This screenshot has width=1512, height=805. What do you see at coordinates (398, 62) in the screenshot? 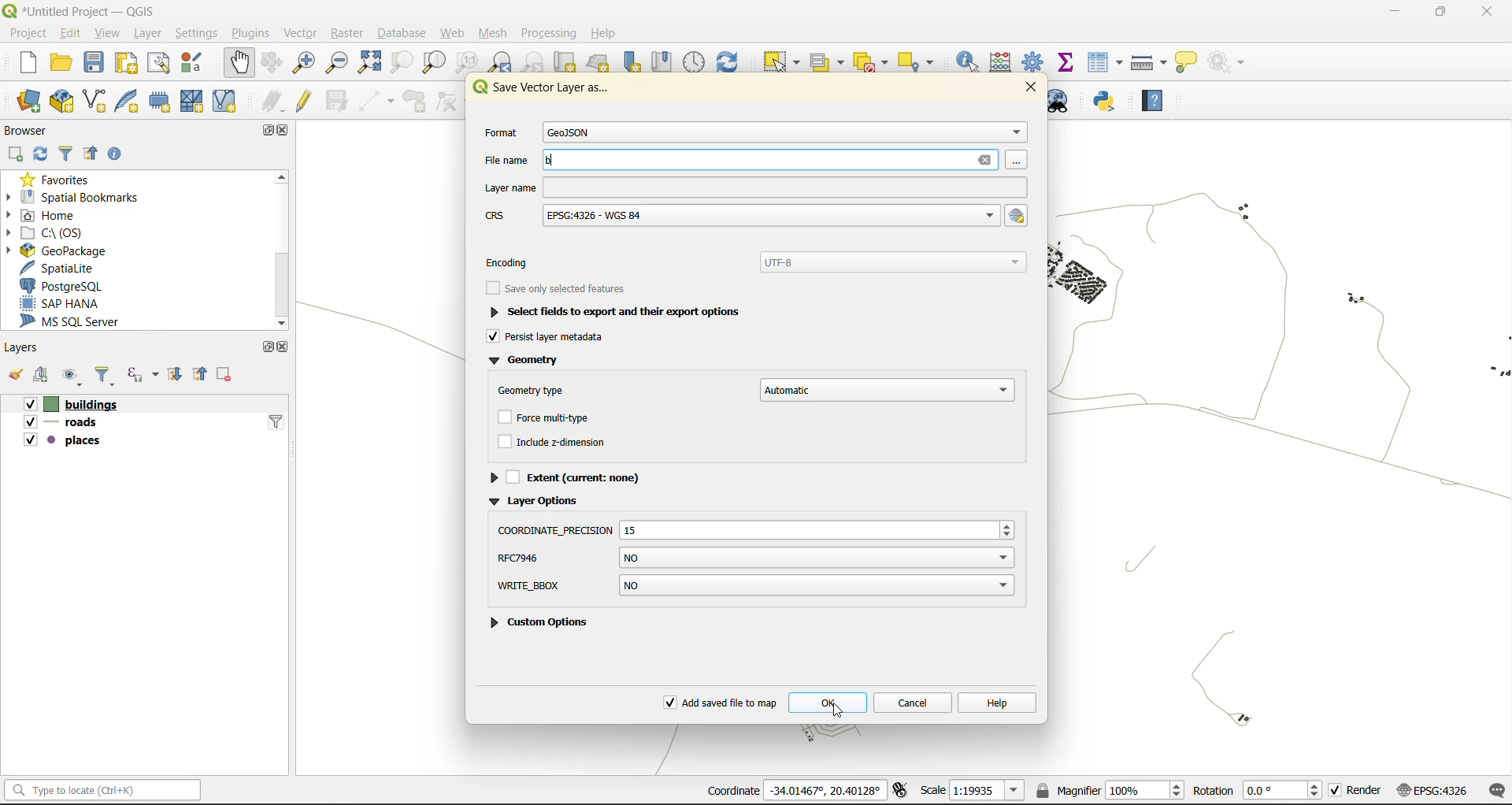
I see `zoom selection` at bounding box center [398, 62].